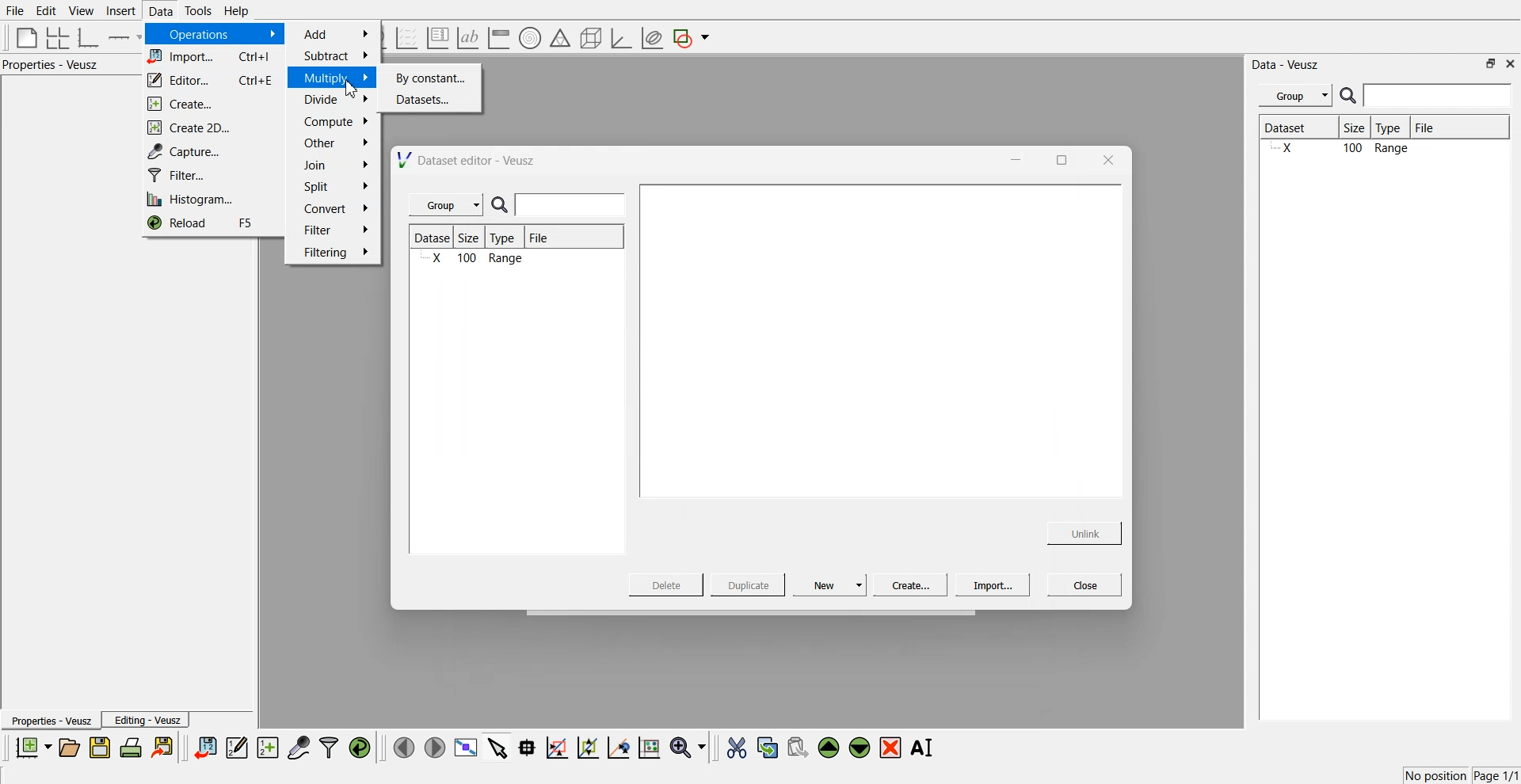 The height and width of the screenshot is (784, 1521). I want to click on Dataset, so click(434, 238).